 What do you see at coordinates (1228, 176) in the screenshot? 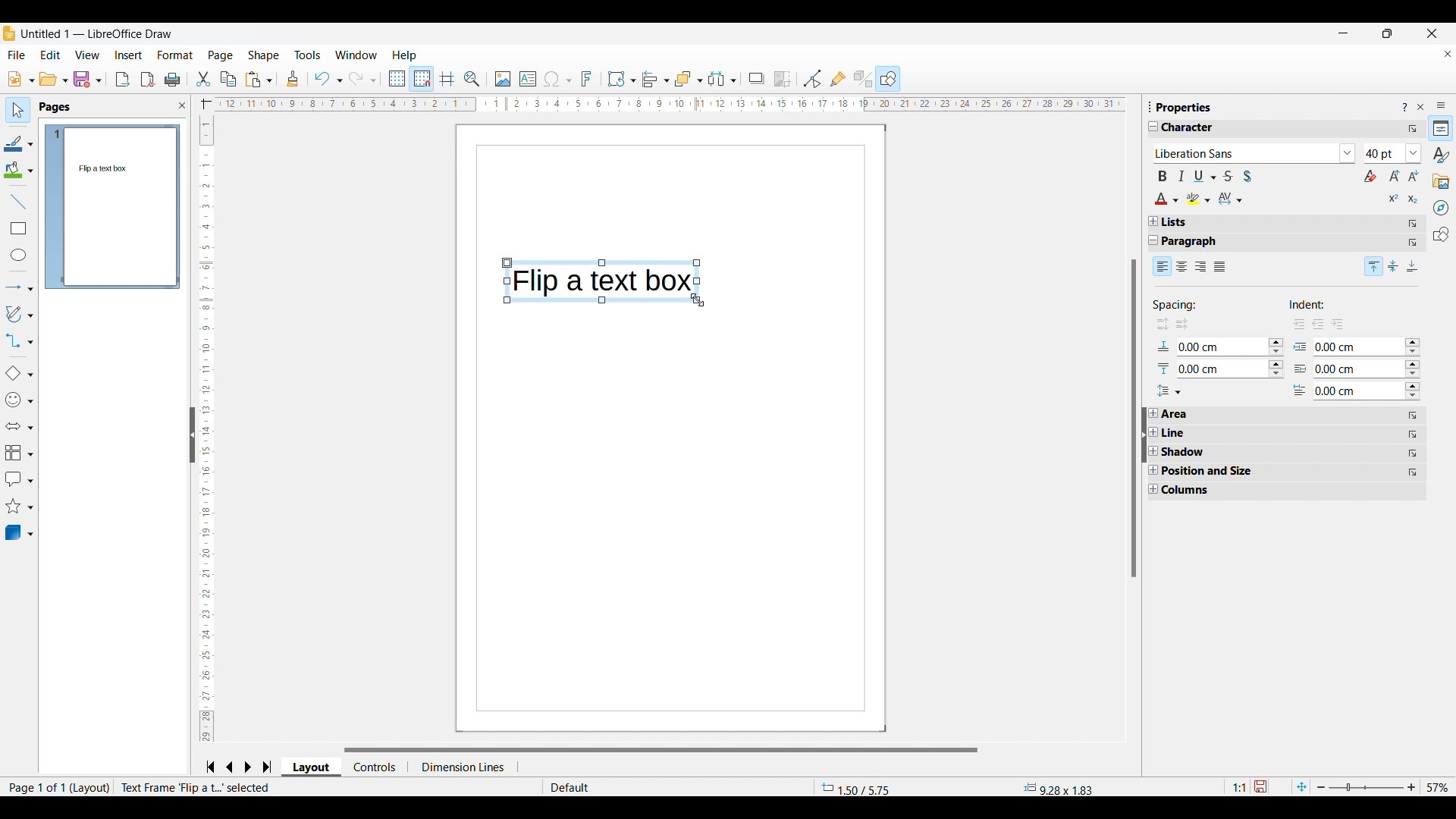
I see `Strike through ` at bounding box center [1228, 176].